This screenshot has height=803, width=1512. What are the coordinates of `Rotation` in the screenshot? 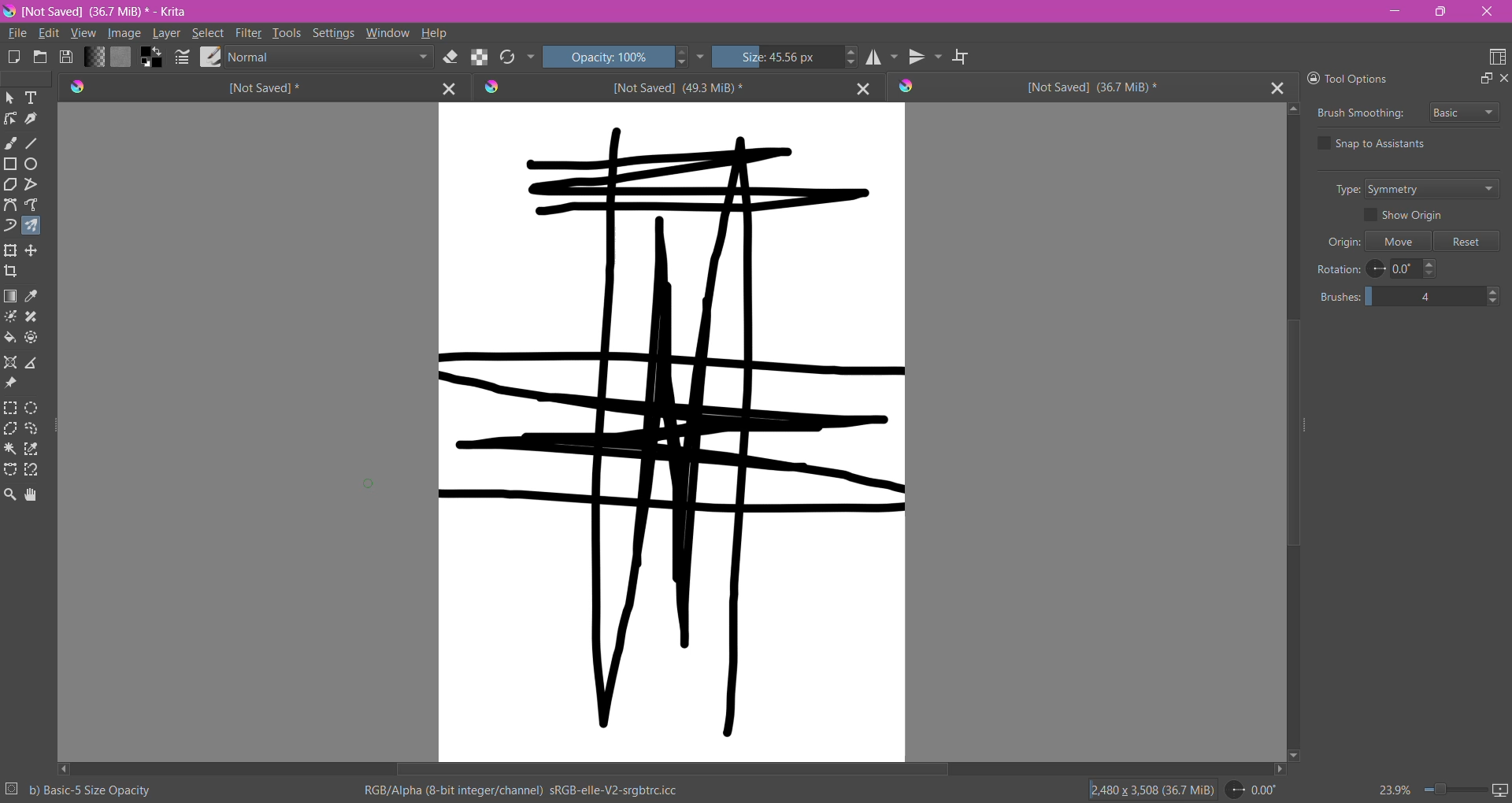 It's located at (1338, 269).